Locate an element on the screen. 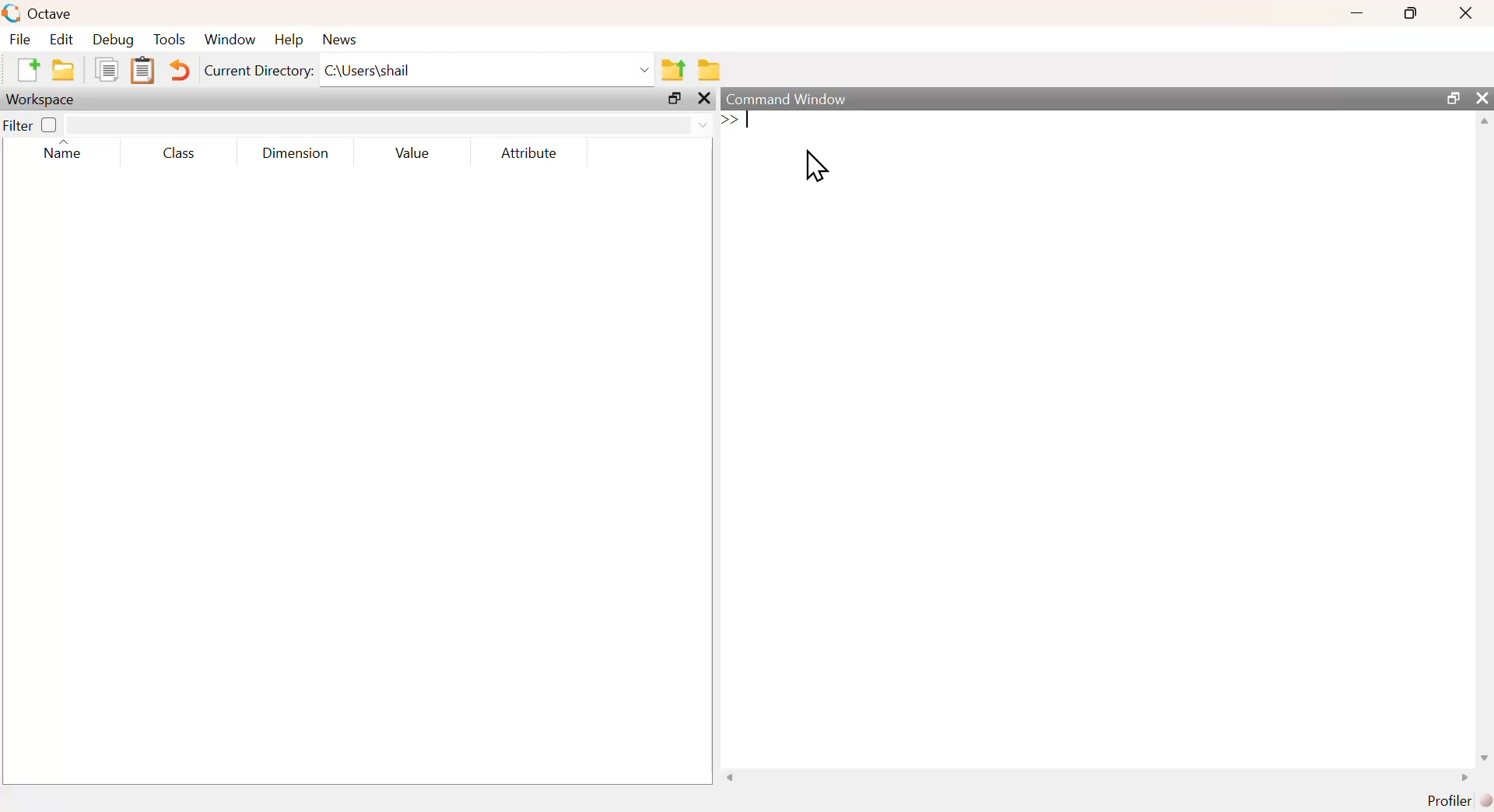 The image size is (1494, 812). dimension is located at coordinates (291, 155).